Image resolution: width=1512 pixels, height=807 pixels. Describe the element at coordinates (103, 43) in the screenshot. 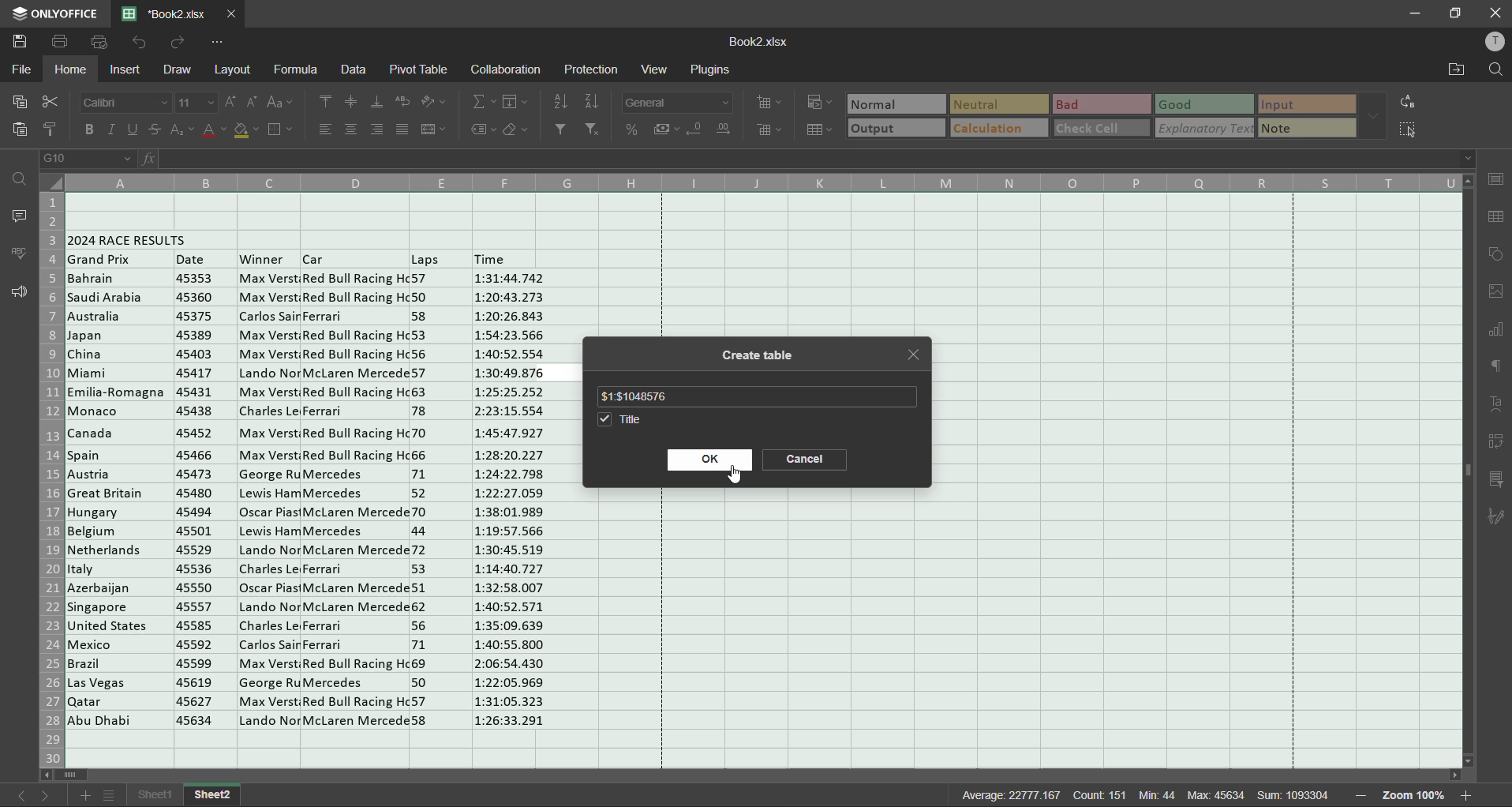

I see `quick print` at that location.